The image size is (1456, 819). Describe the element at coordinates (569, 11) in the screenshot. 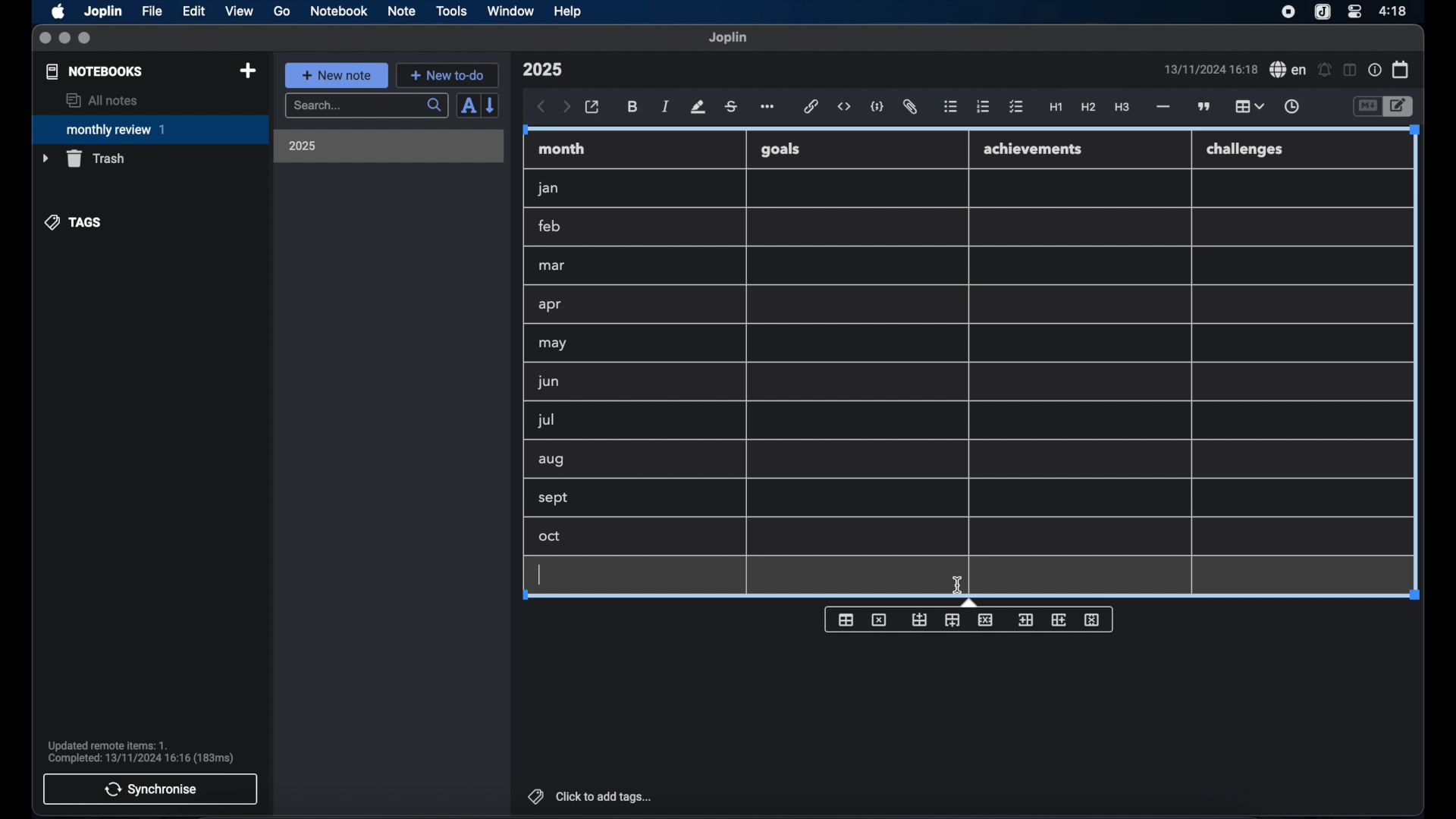

I see `help` at that location.